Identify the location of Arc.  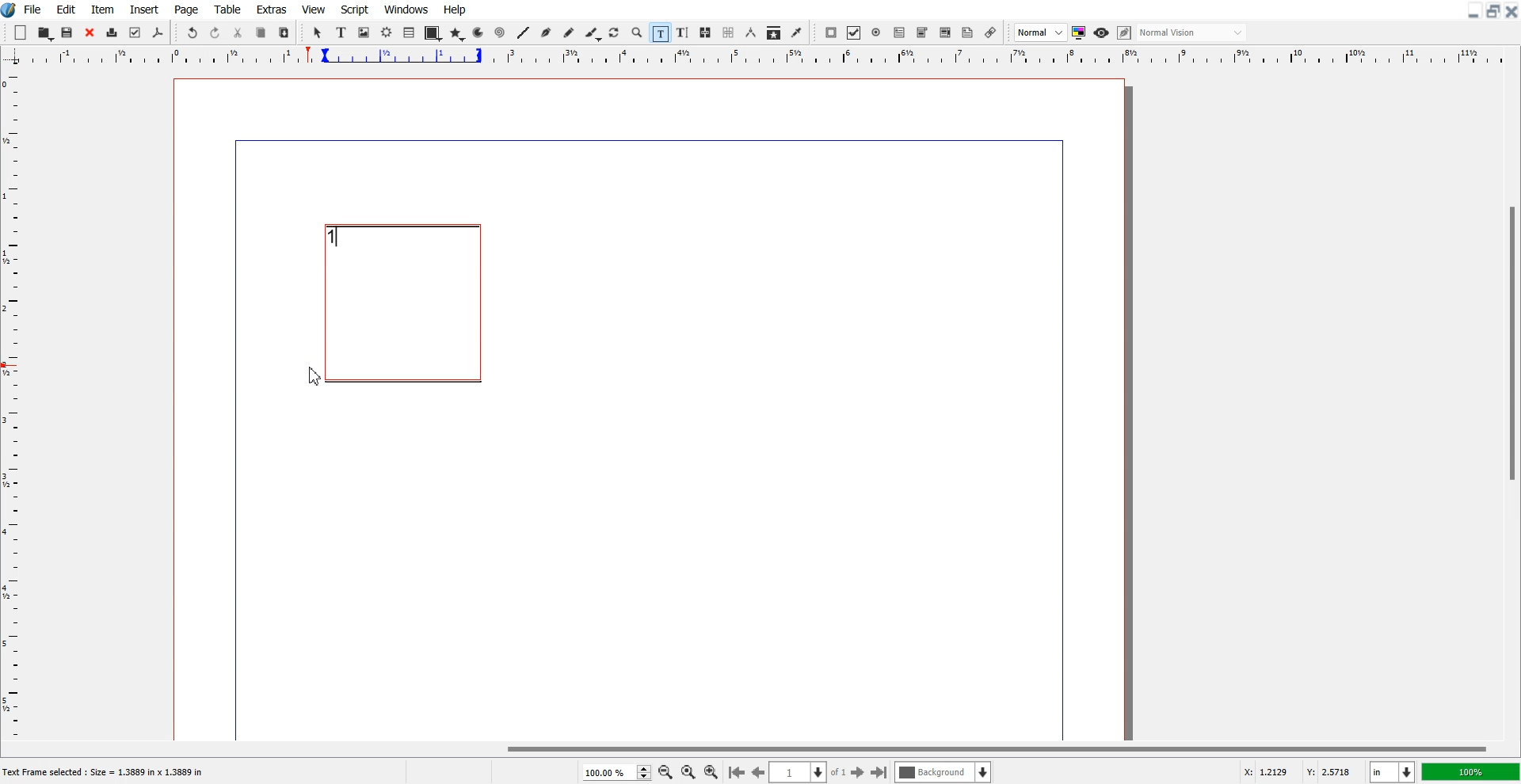
(479, 32).